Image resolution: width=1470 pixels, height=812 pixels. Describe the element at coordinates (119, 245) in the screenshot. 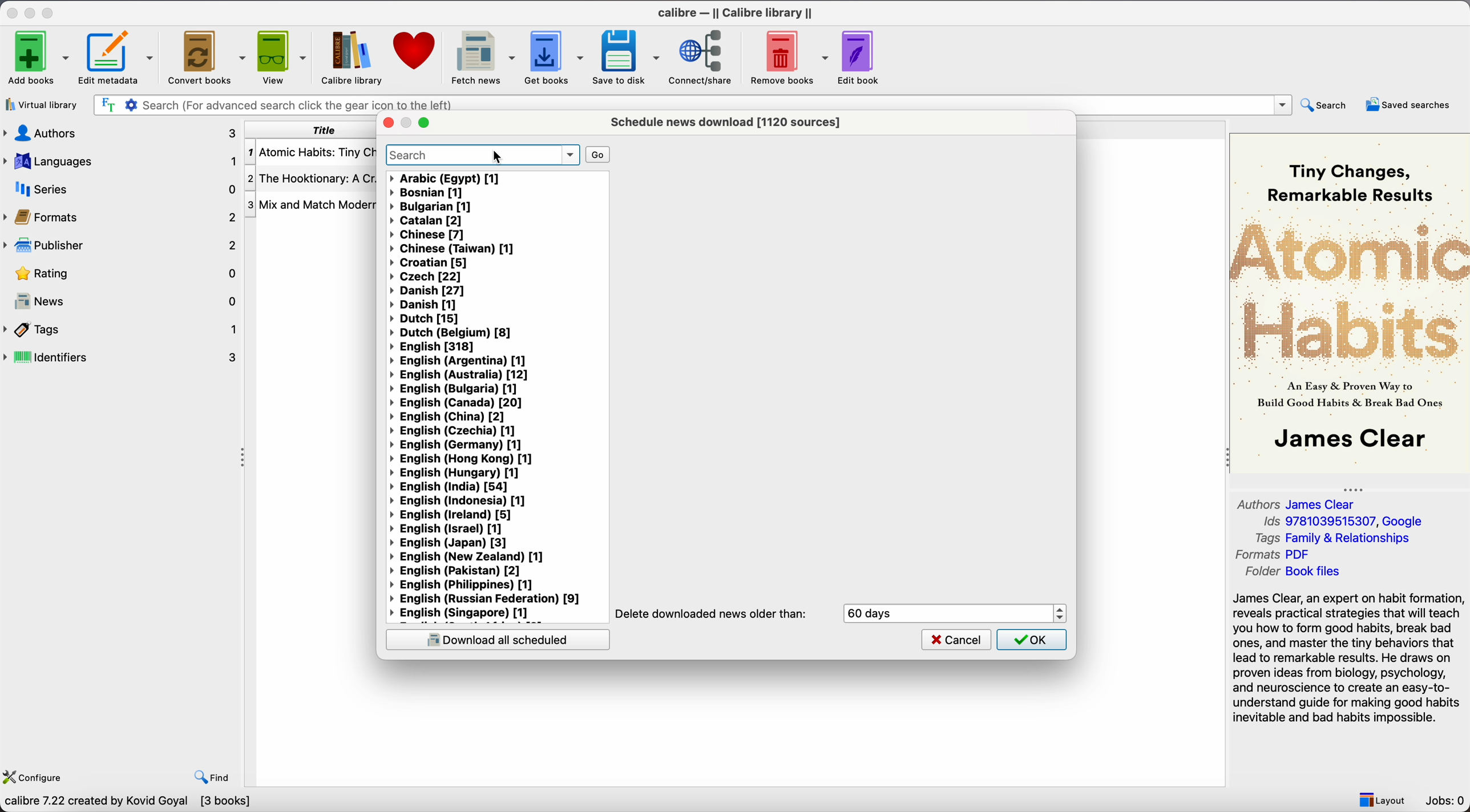

I see `publisher` at that location.